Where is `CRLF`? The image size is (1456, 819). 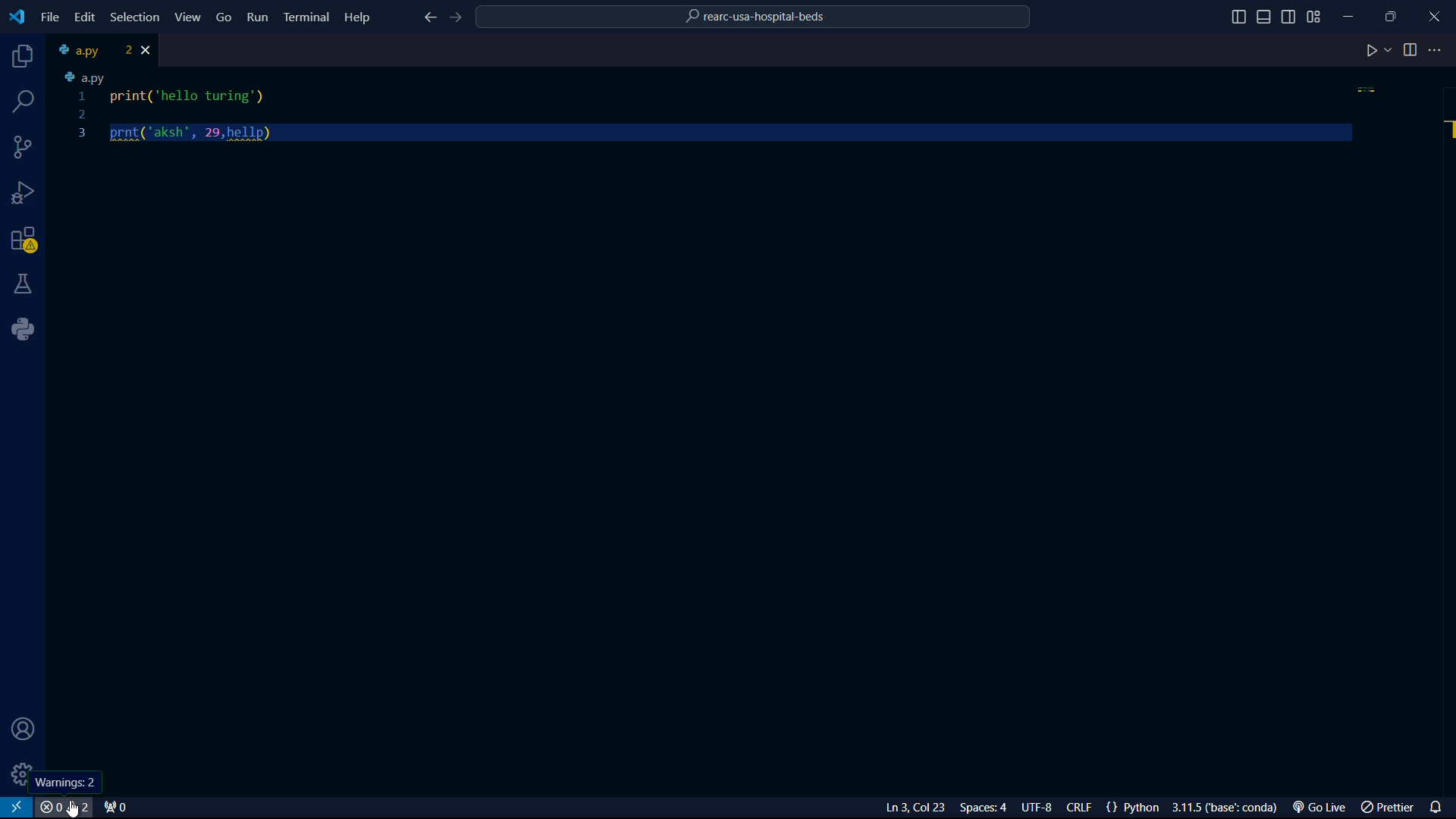 CRLF is located at coordinates (1082, 808).